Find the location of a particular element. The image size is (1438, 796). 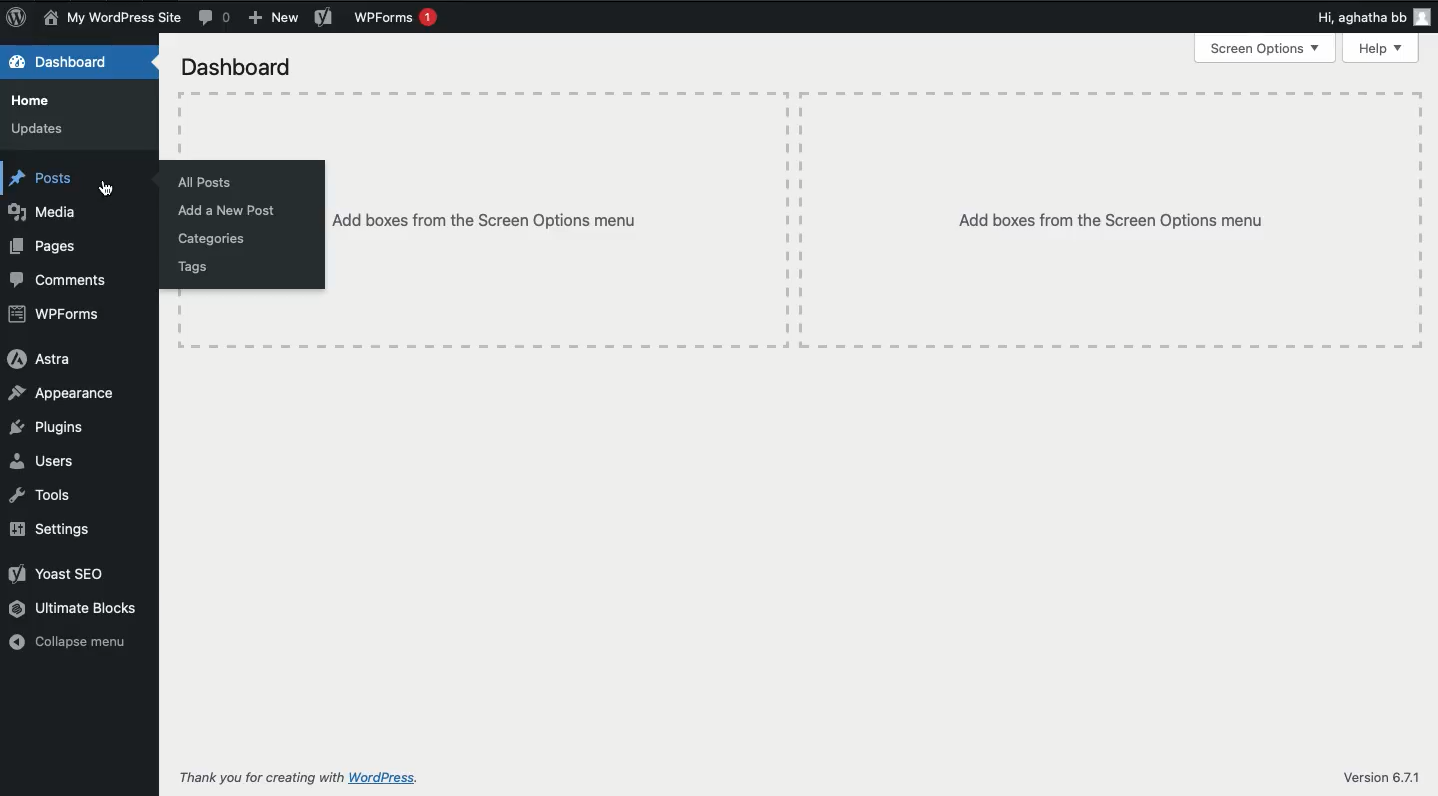

Appearance is located at coordinates (61, 394).